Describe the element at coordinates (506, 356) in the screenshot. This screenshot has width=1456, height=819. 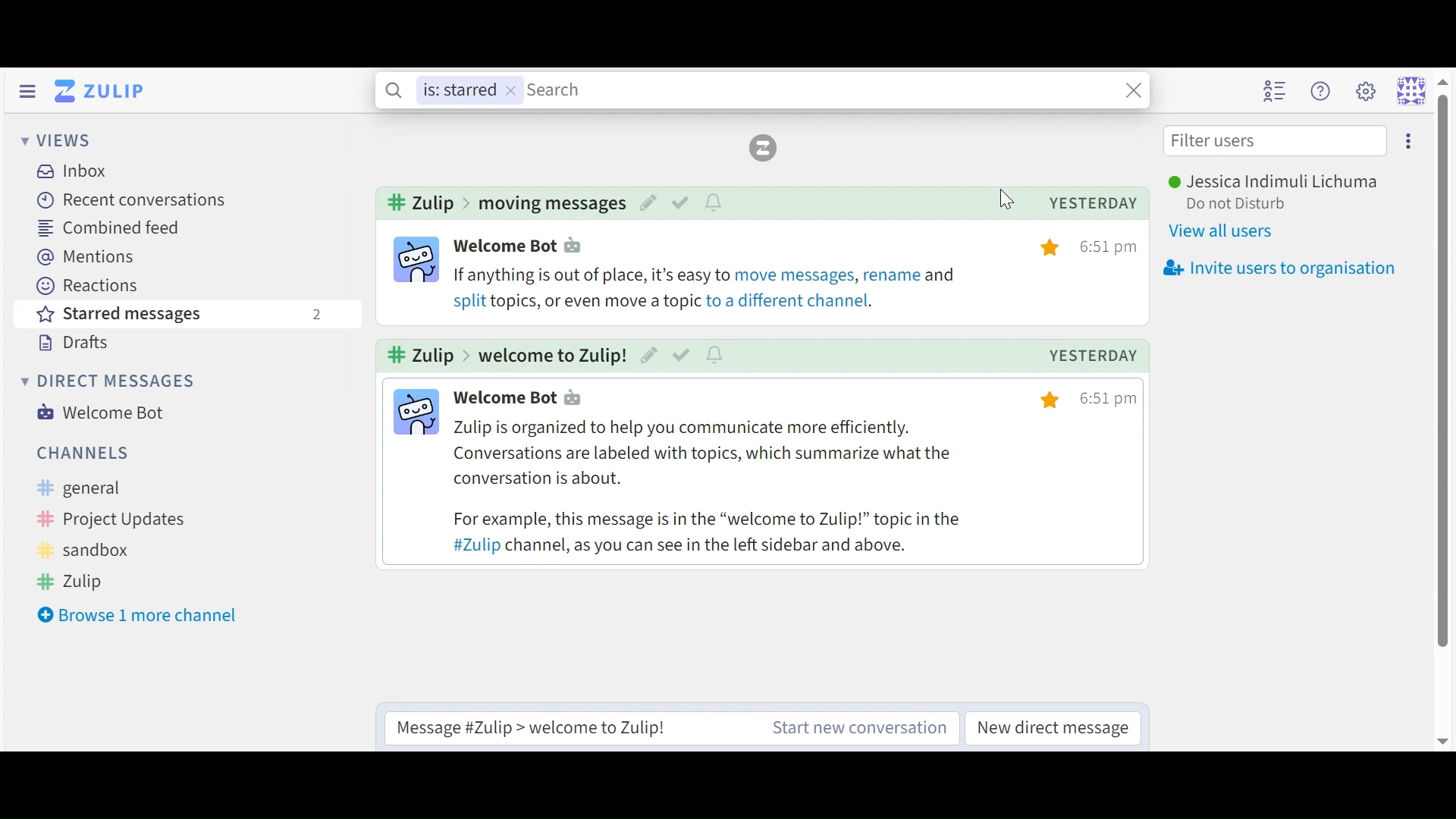
I see `channel` at that location.